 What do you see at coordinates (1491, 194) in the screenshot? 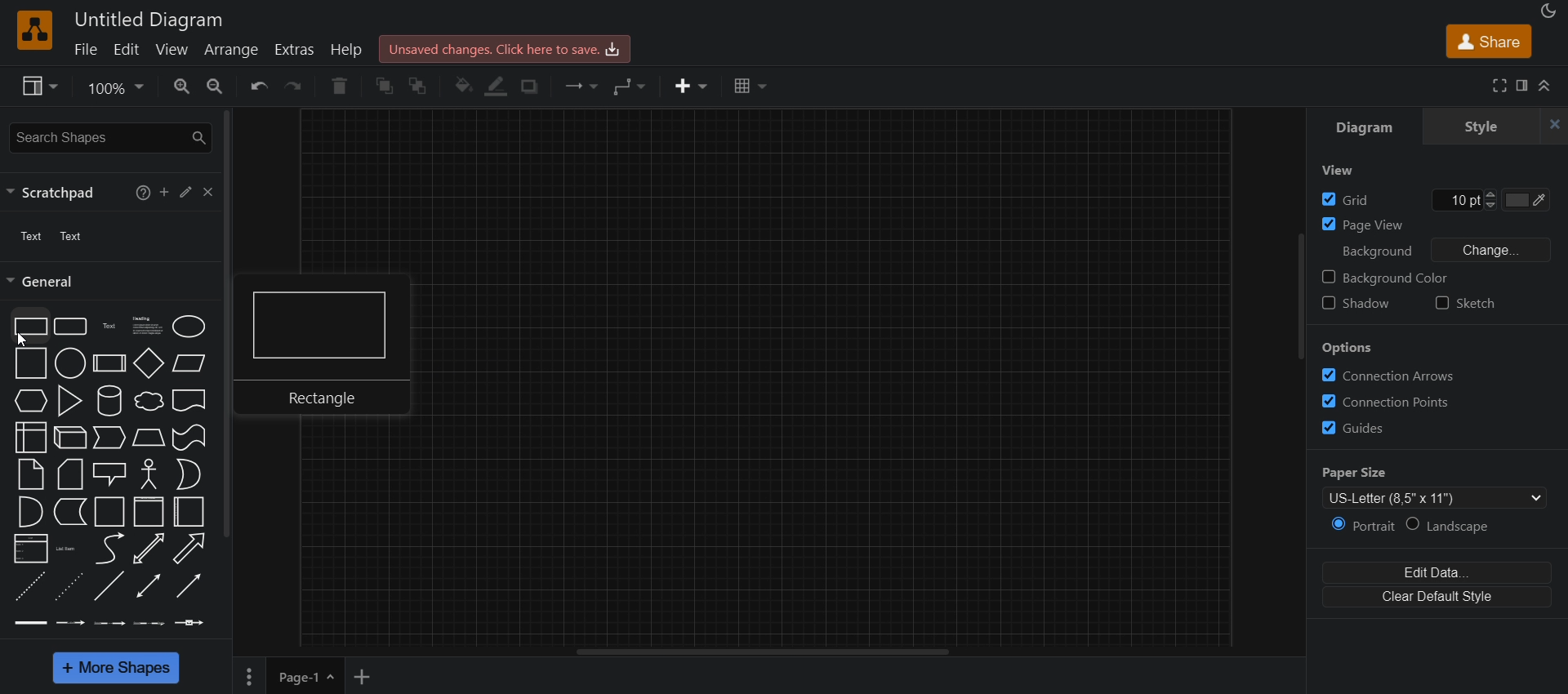
I see `increase grid pt` at bounding box center [1491, 194].